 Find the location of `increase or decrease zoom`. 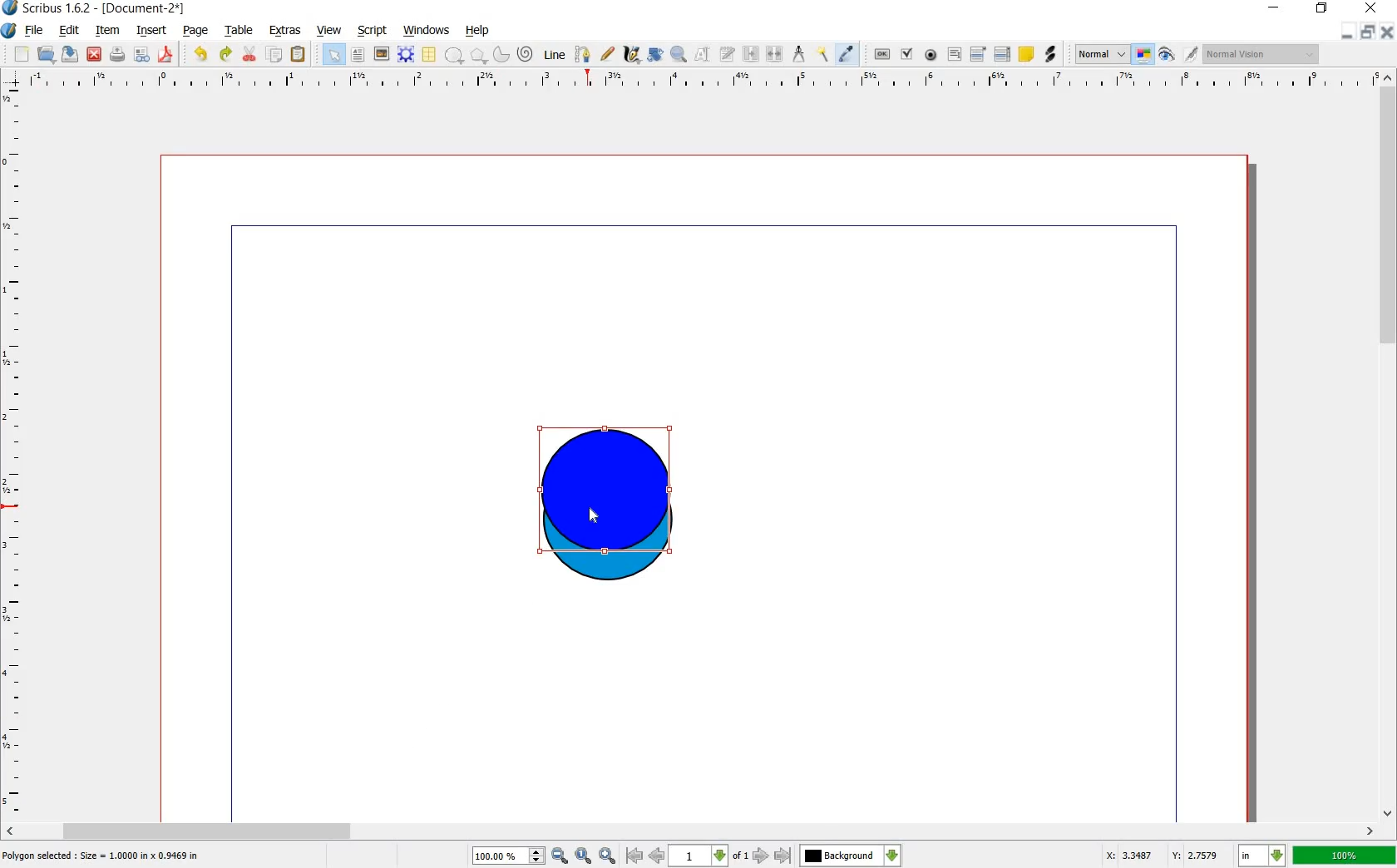

increase or decrease zoom is located at coordinates (536, 856).